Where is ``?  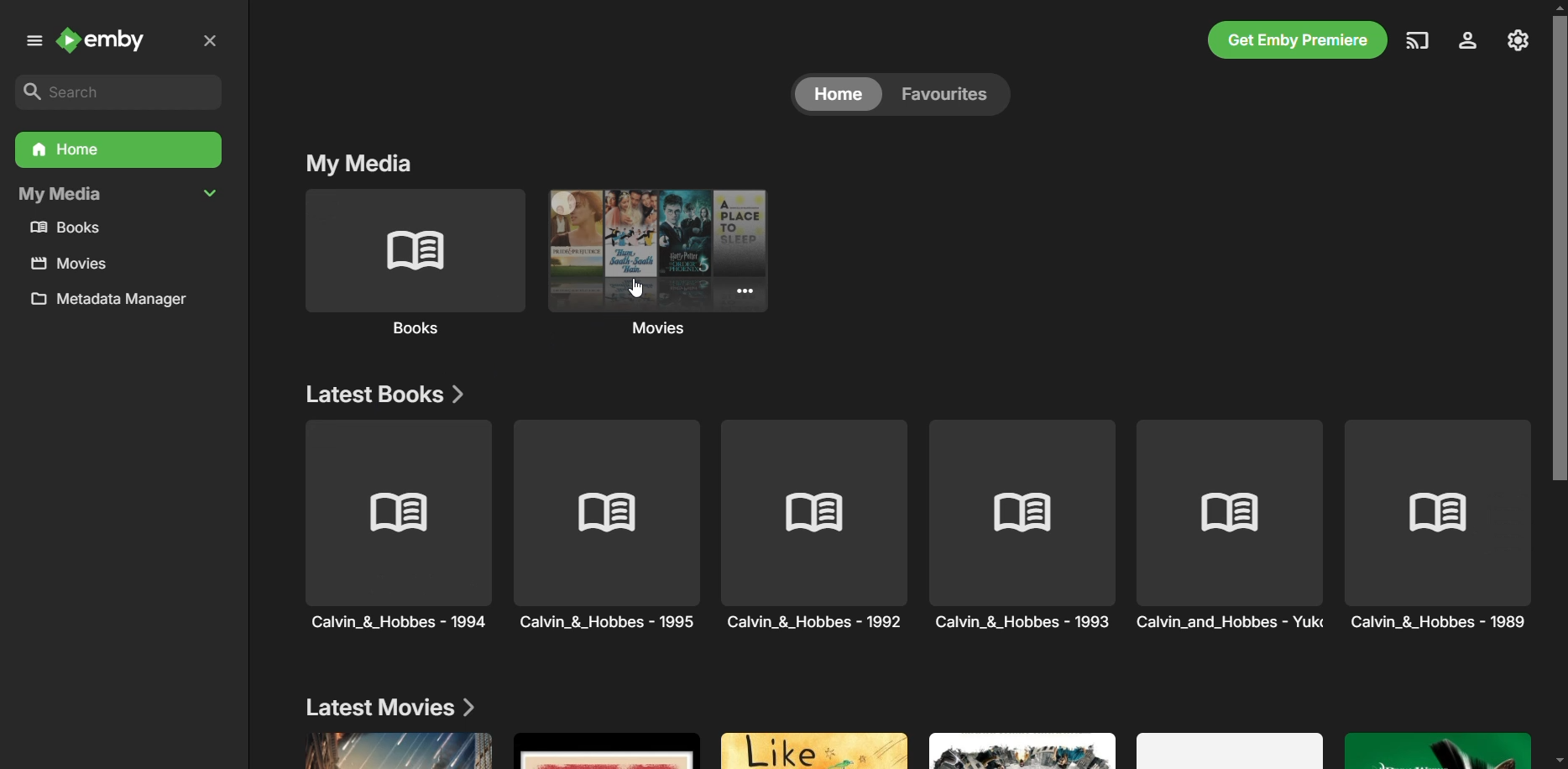
 is located at coordinates (813, 524).